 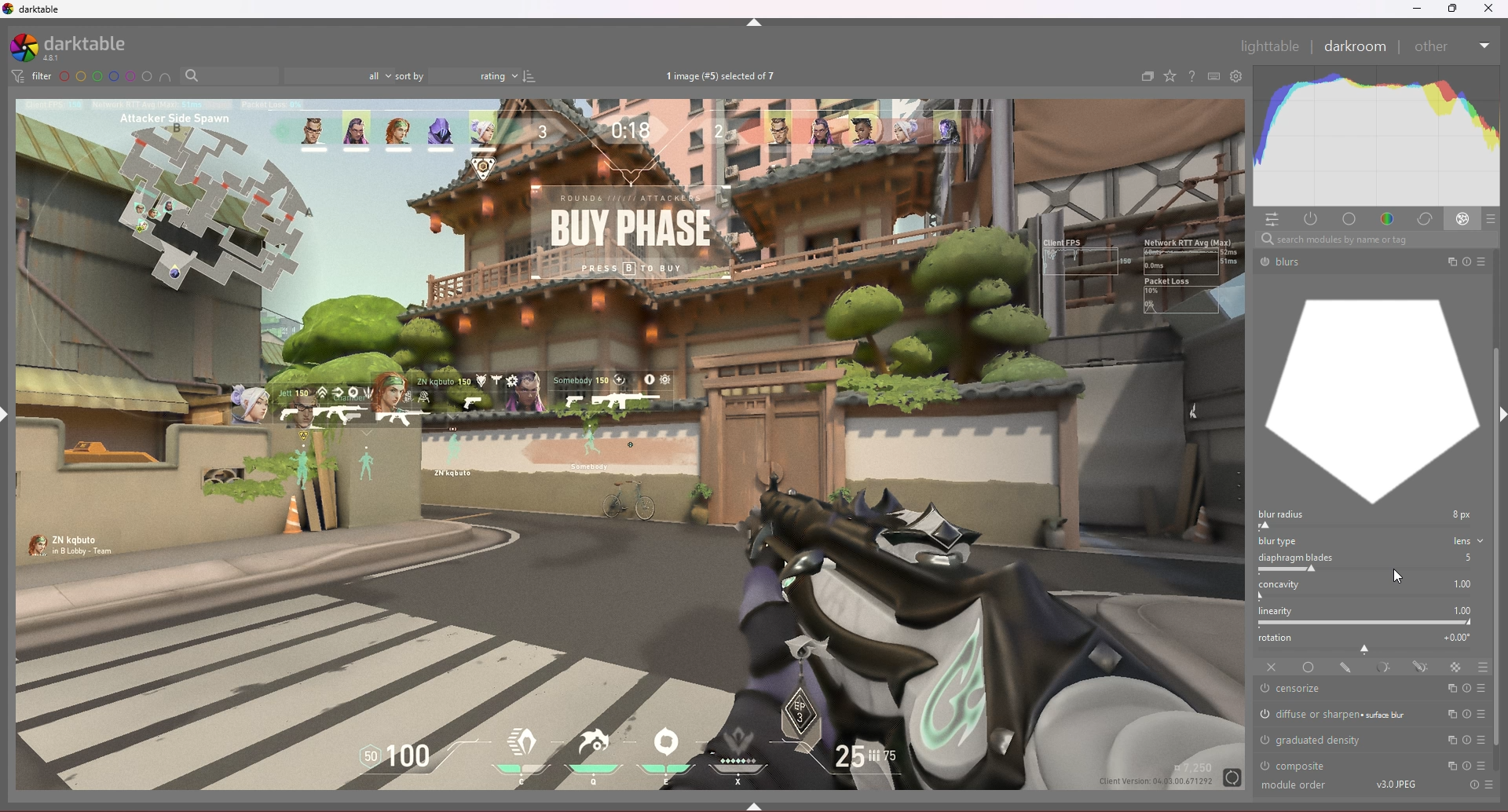 What do you see at coordinates (1214, 76) in the screenshot?
I see `keyboard shortcut` at bounding box center [1214, 76].